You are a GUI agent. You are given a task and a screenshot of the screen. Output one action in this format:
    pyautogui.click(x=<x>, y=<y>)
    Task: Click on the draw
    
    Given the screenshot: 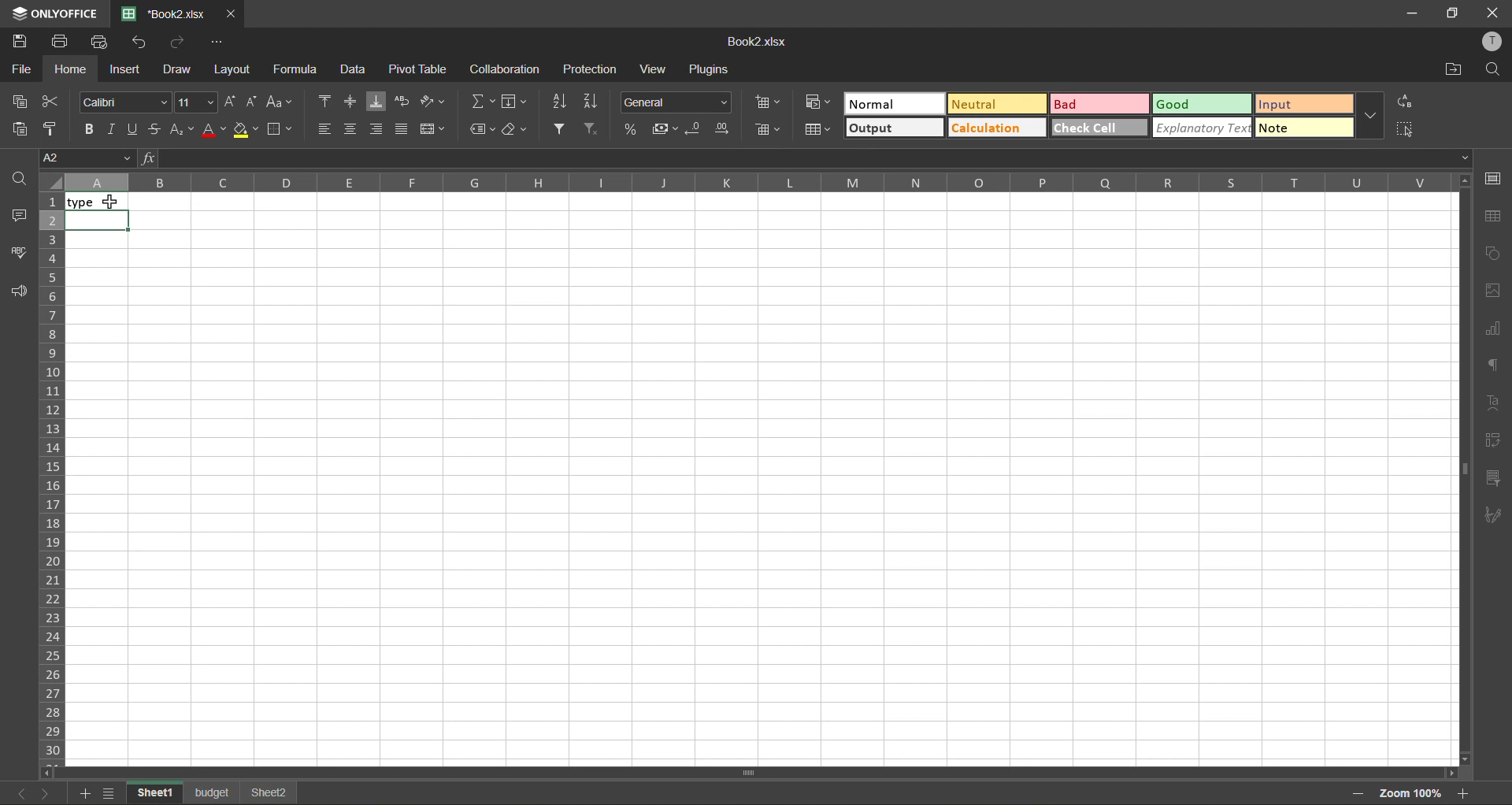 What is the action you would take?
    pyautogui.click(x=177, y=68)
    